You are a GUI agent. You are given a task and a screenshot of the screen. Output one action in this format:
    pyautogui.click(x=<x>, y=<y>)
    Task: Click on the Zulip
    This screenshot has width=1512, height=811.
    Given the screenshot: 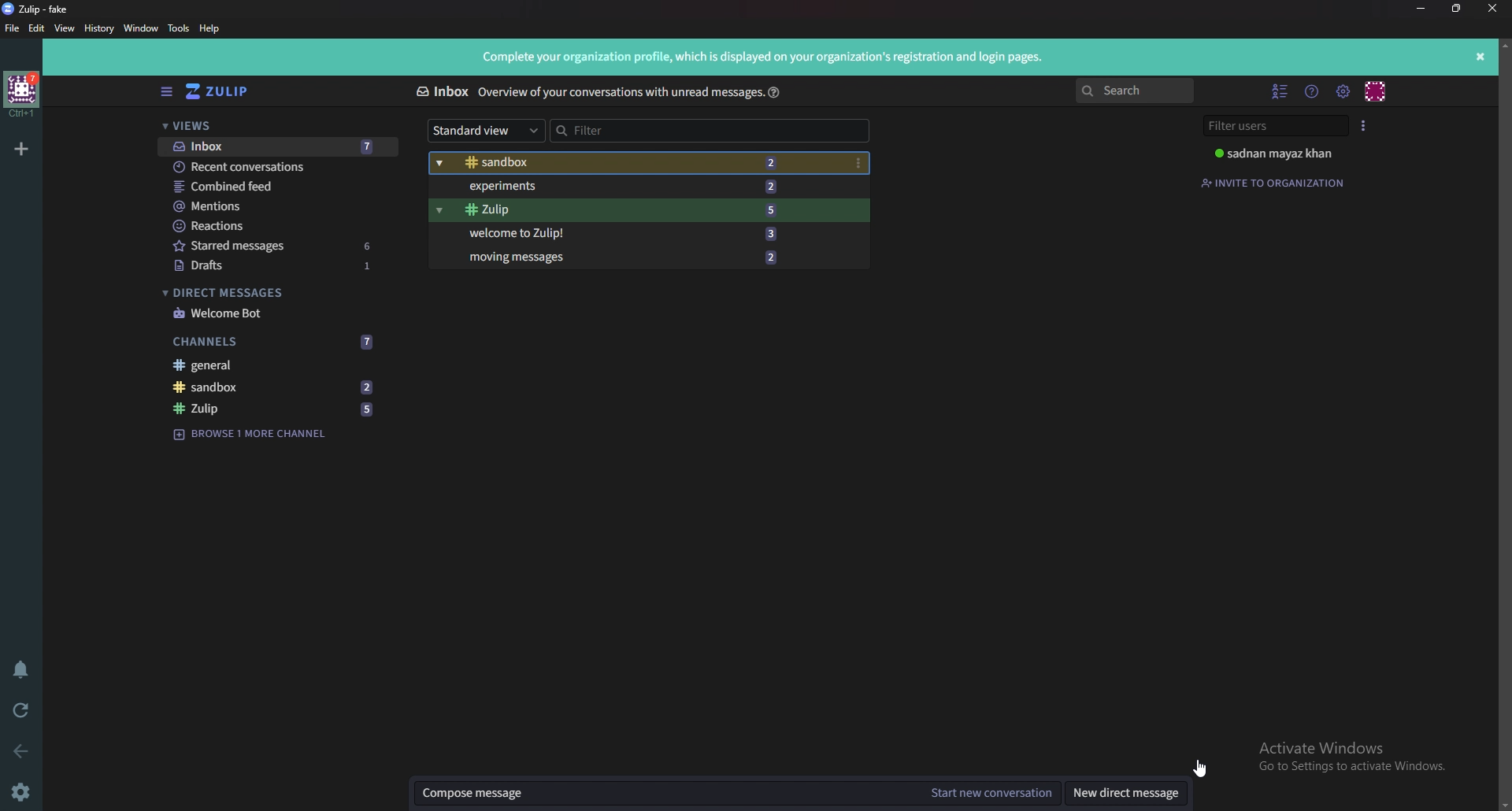 What is the action you would take?
    pyautogui.click(x=270, y=408)
    